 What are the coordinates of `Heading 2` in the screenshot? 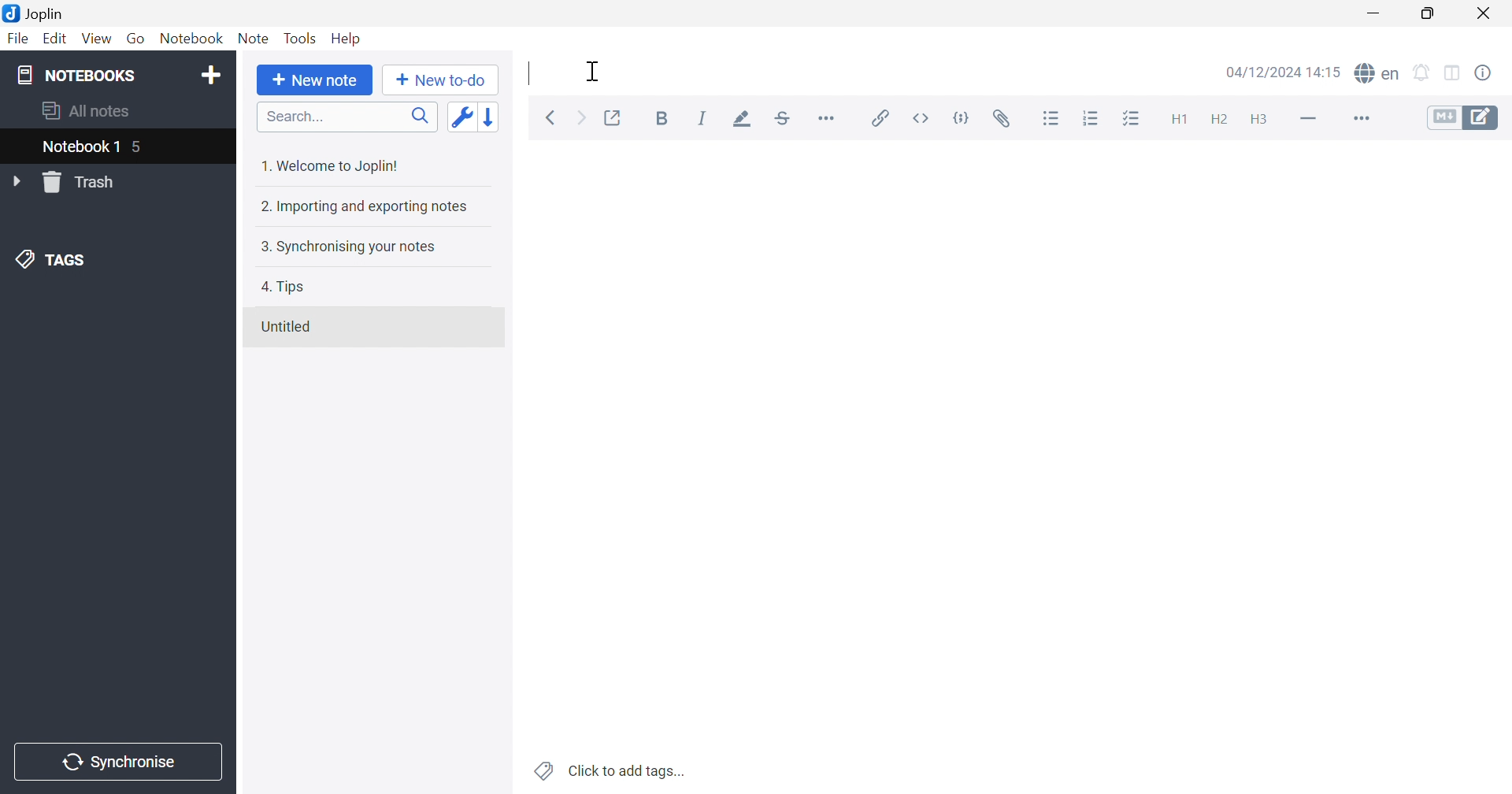 It's located at (1219, 120).